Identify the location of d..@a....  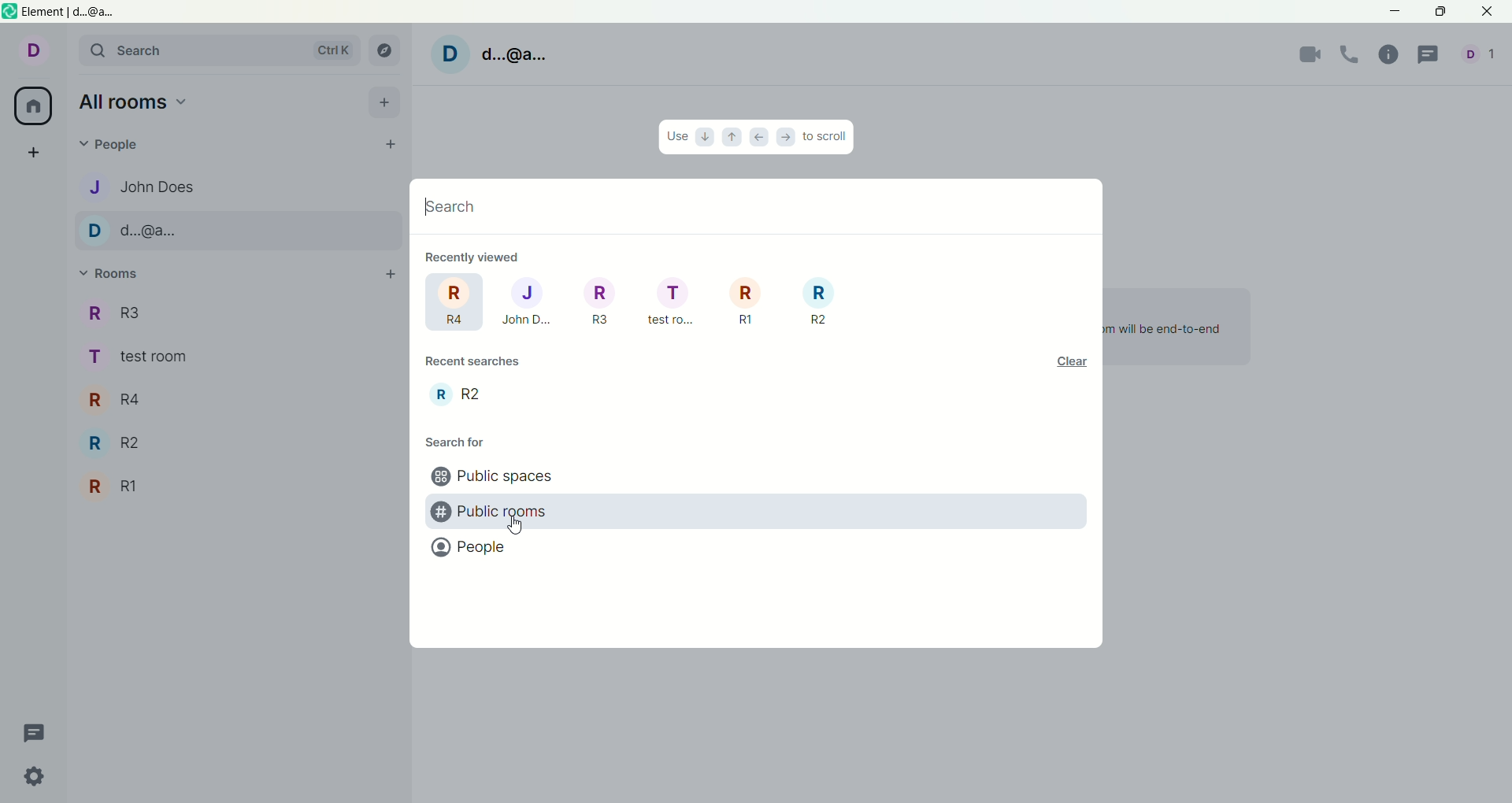
(513, 54).